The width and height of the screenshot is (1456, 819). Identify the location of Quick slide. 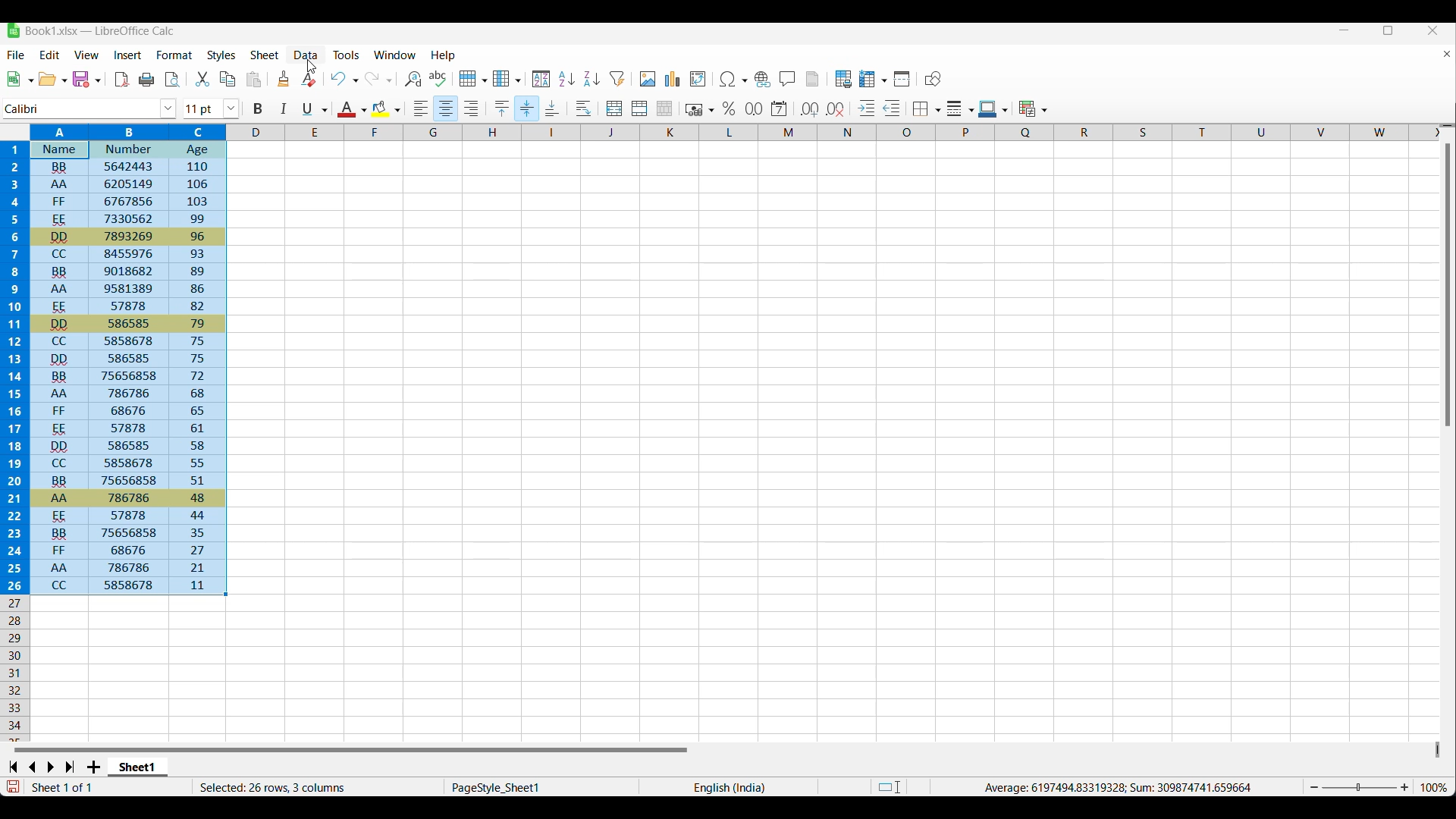
(1438, 750).